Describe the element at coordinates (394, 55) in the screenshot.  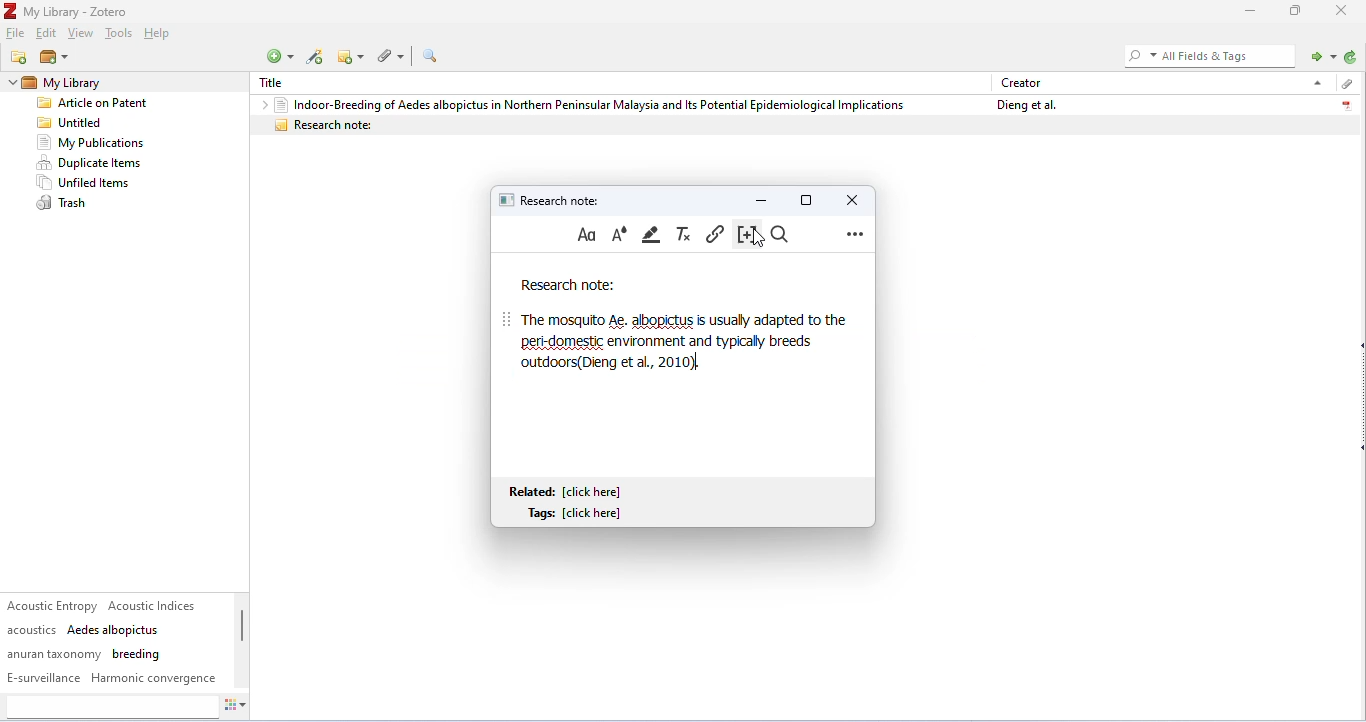
I see `attachment` at that location.